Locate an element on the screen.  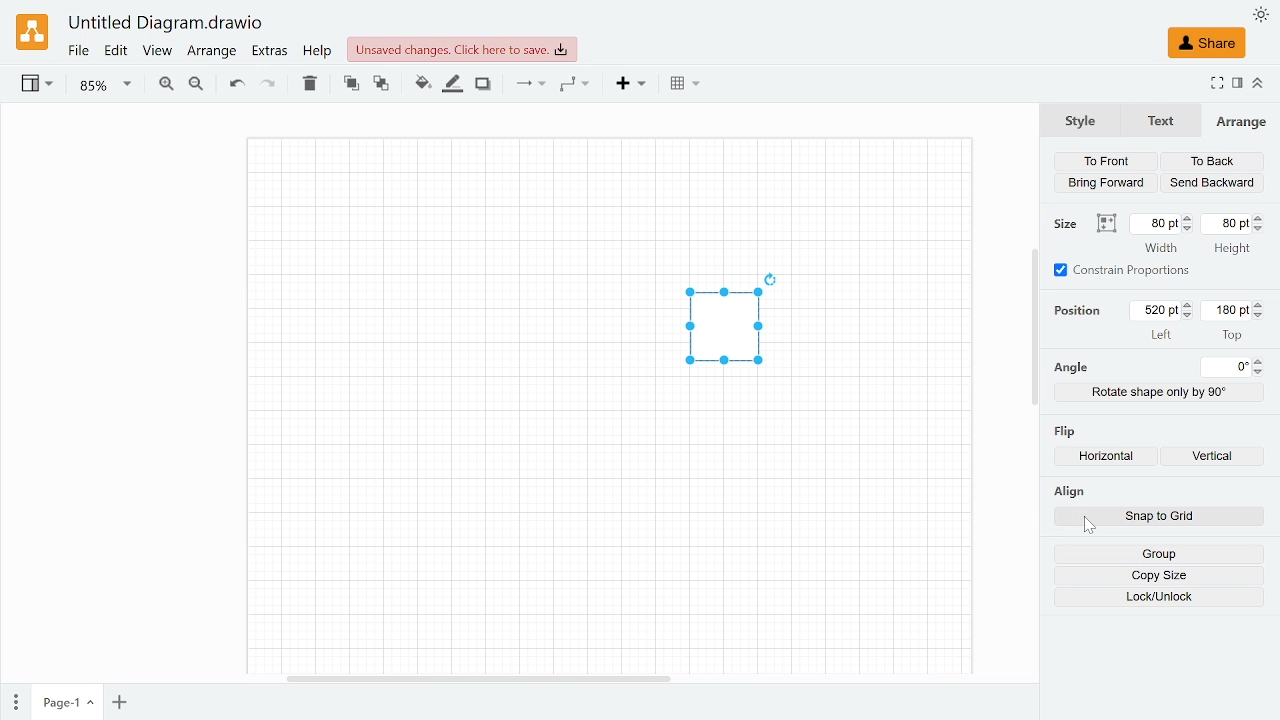
Increase height is located at coordinates (1262, 217).